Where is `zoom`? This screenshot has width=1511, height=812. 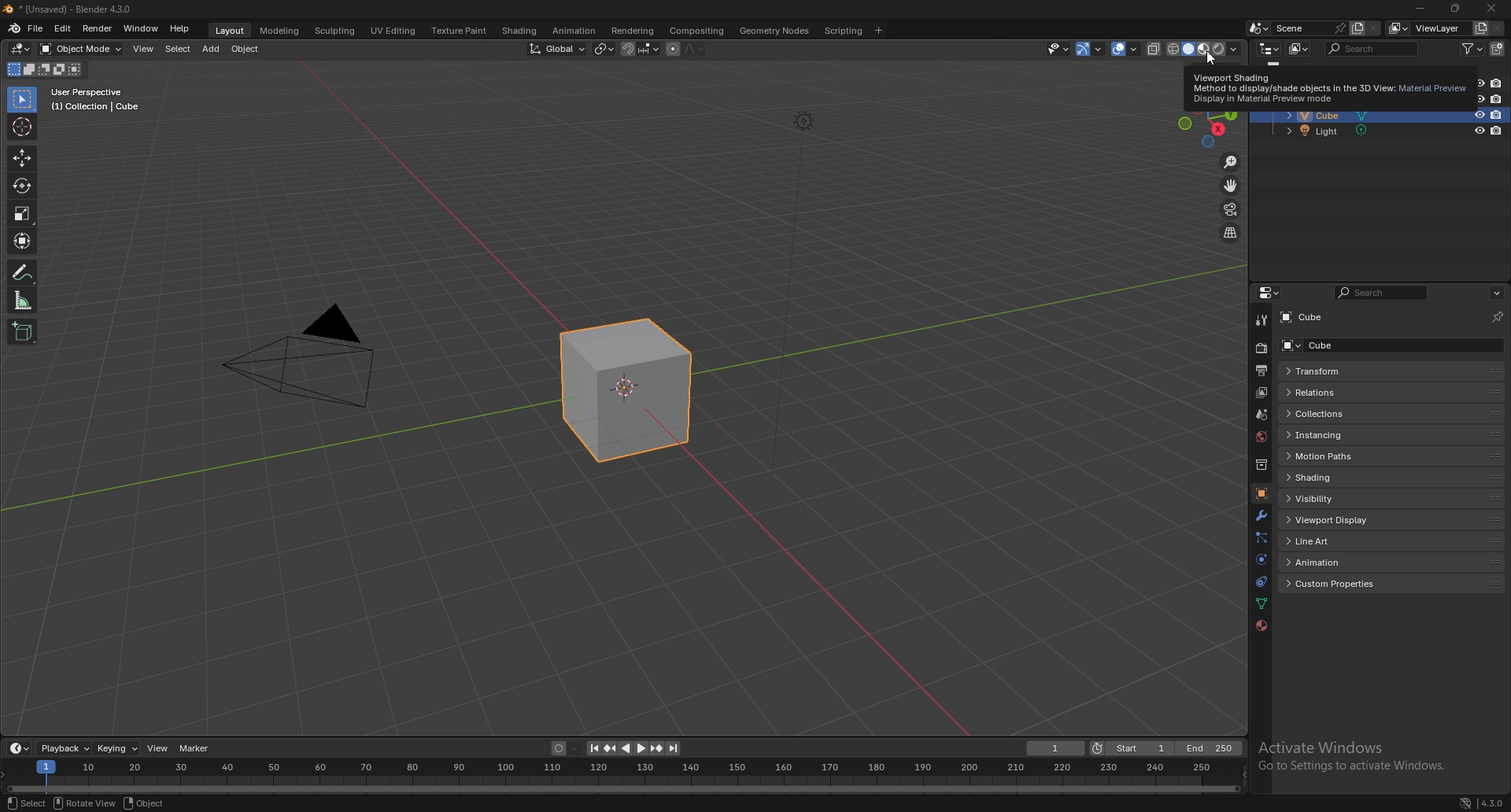 zoom is located at coordinates (1230, 163).